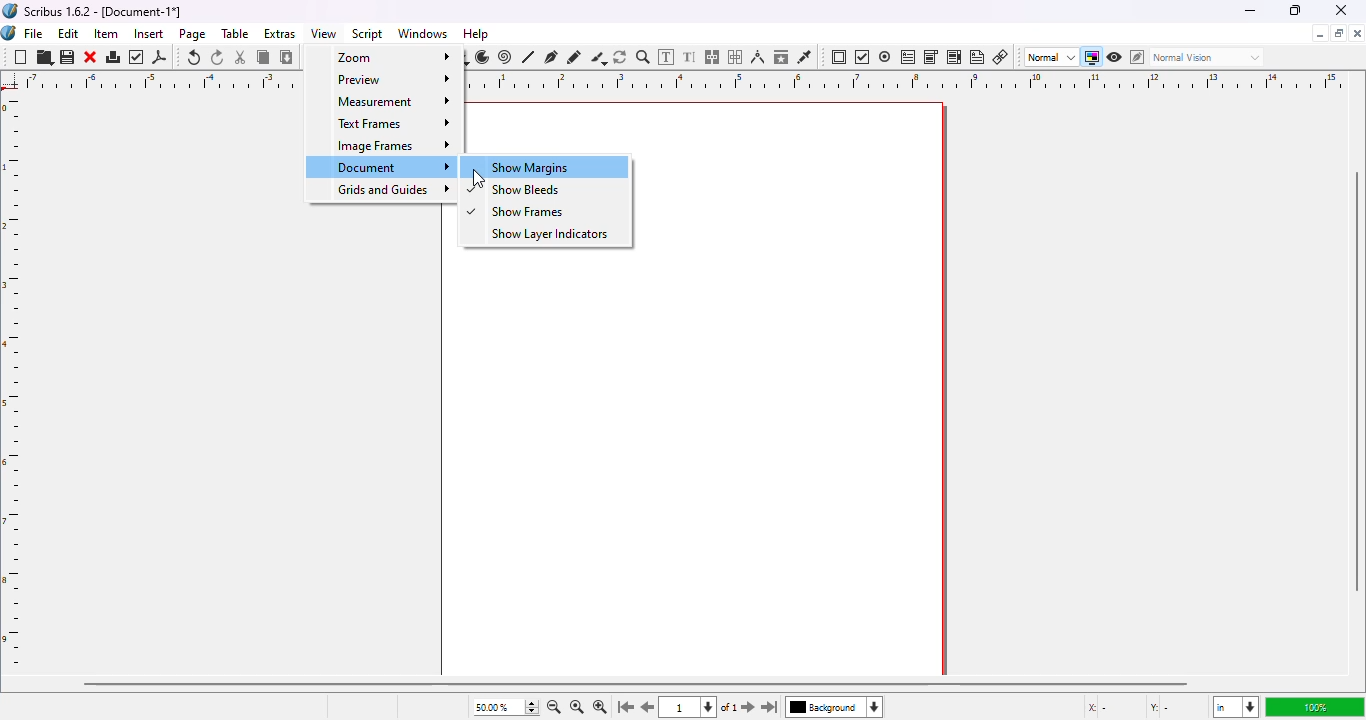 The height and width of the screenshot is (720, 1366). I want to click on in, so click(1234, 708).